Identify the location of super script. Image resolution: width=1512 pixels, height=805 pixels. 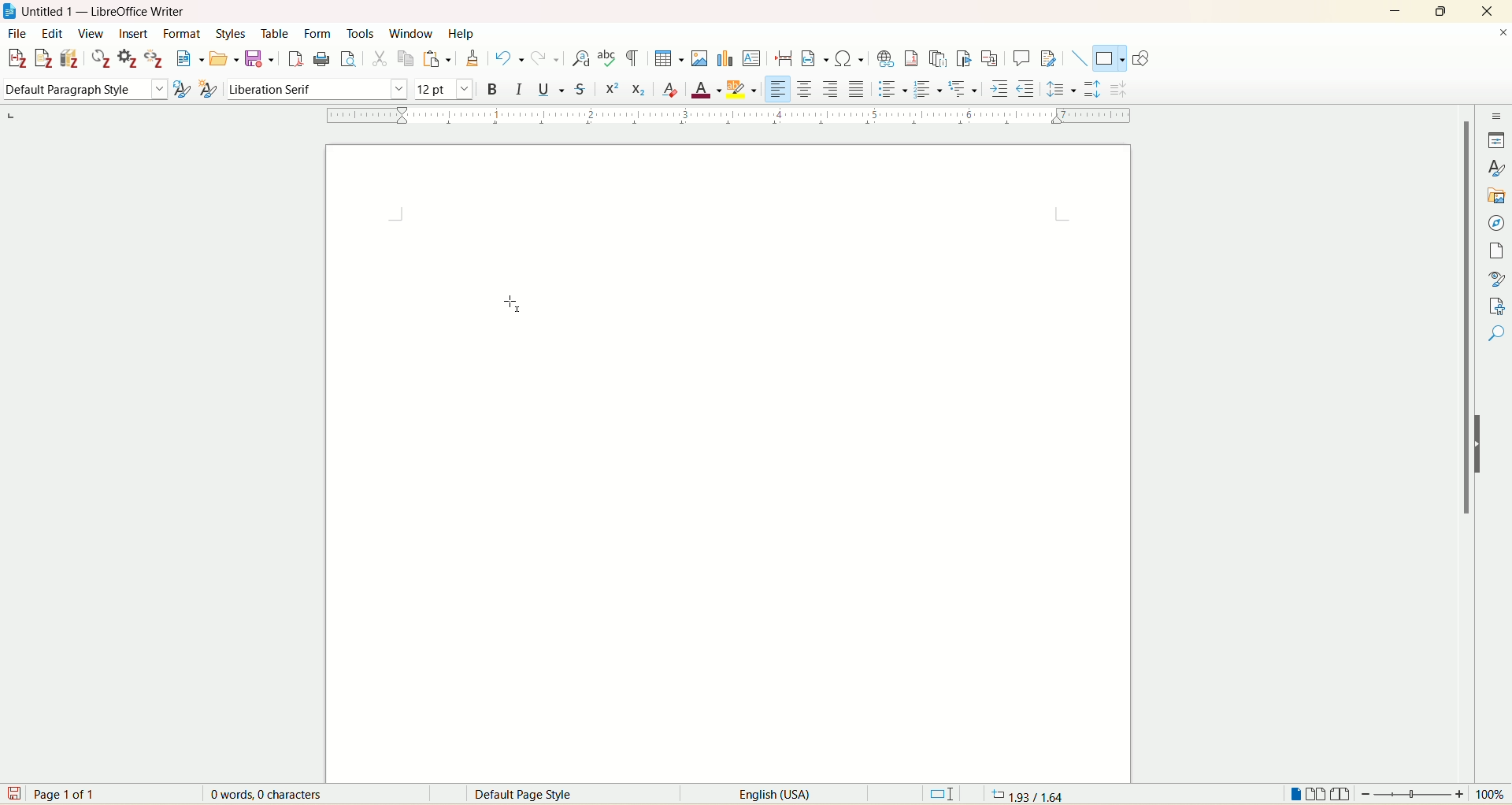
(610, 88).